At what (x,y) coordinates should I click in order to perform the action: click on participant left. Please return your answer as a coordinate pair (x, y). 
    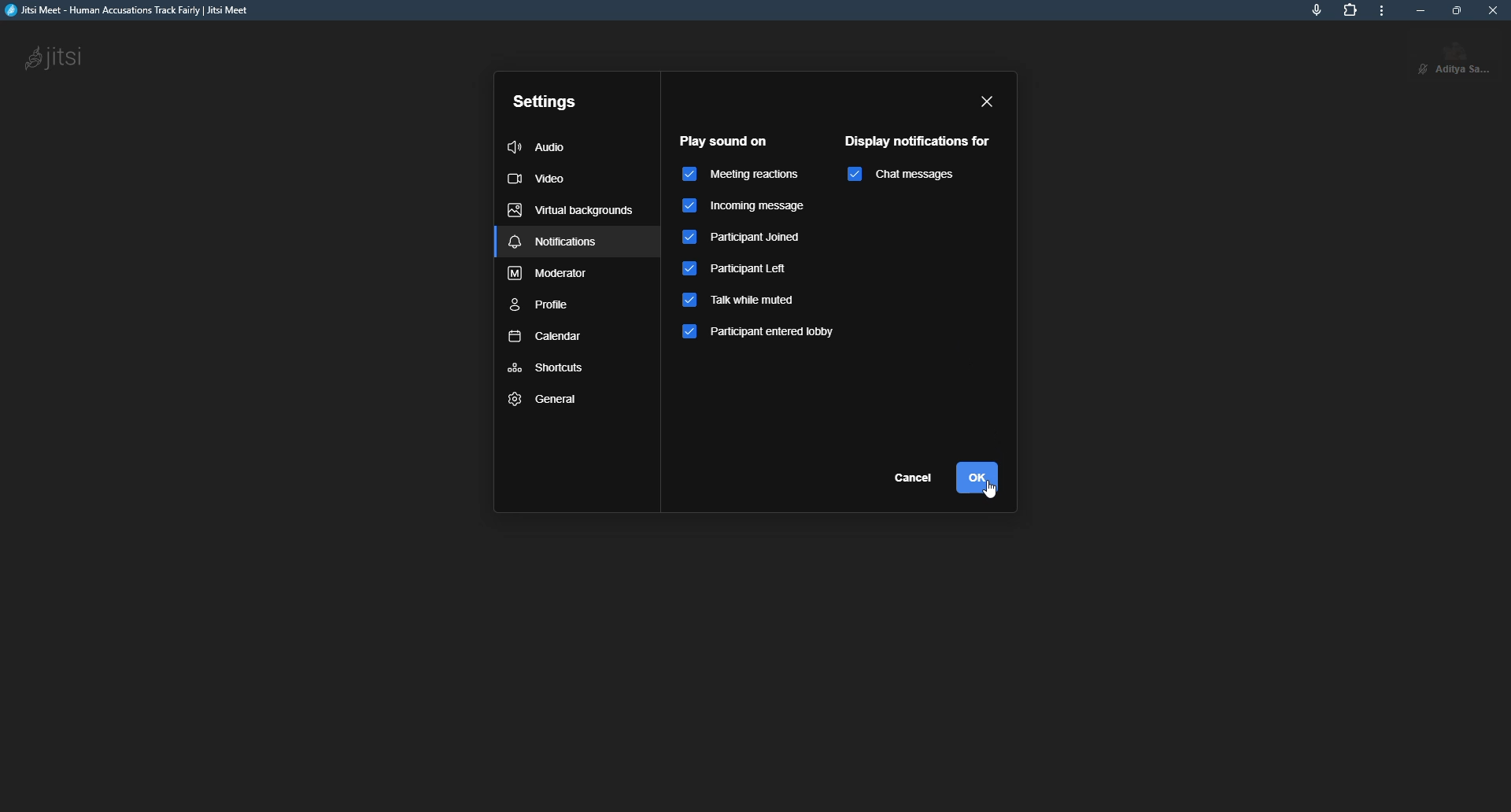
    Looking at the image, I should click on (741, 271).